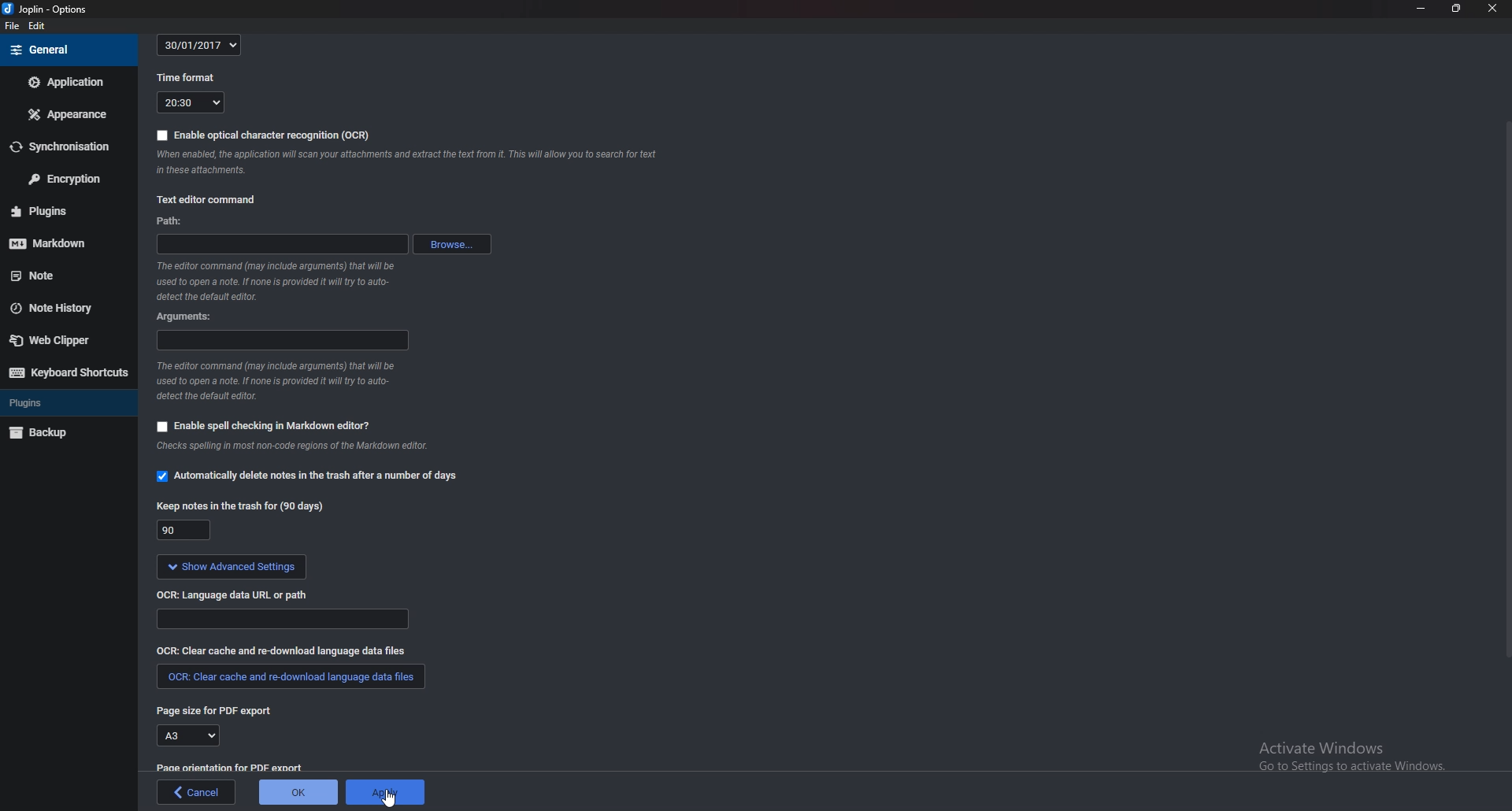 The width and height of the screenshot is (1512, 811). I want to click on Enable O C R, so click(261, 136).